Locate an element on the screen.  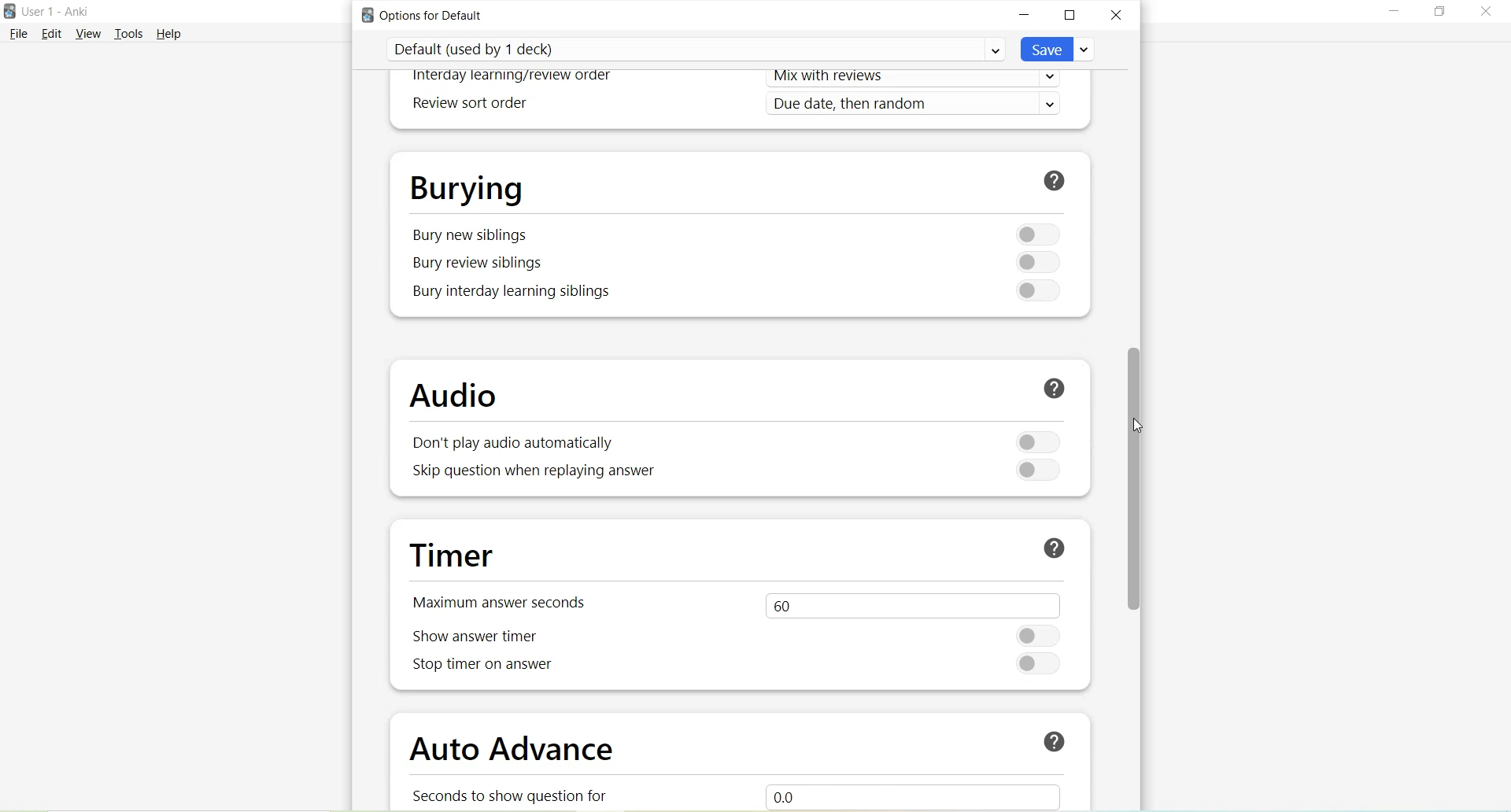
Bury review siblings is located at coordinates (480, 264).